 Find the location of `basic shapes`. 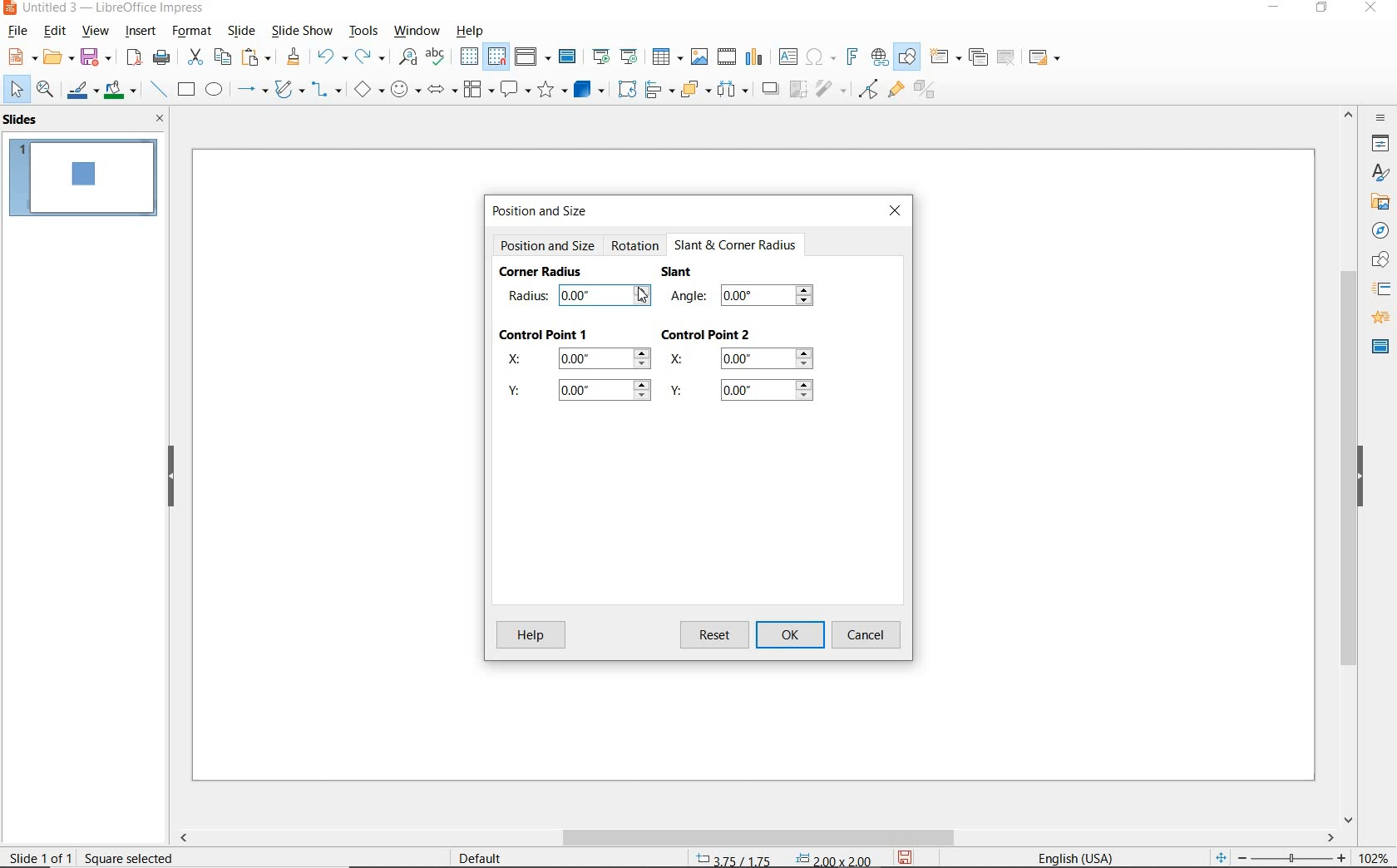

basic shapes is located at coordinates (367, 89).